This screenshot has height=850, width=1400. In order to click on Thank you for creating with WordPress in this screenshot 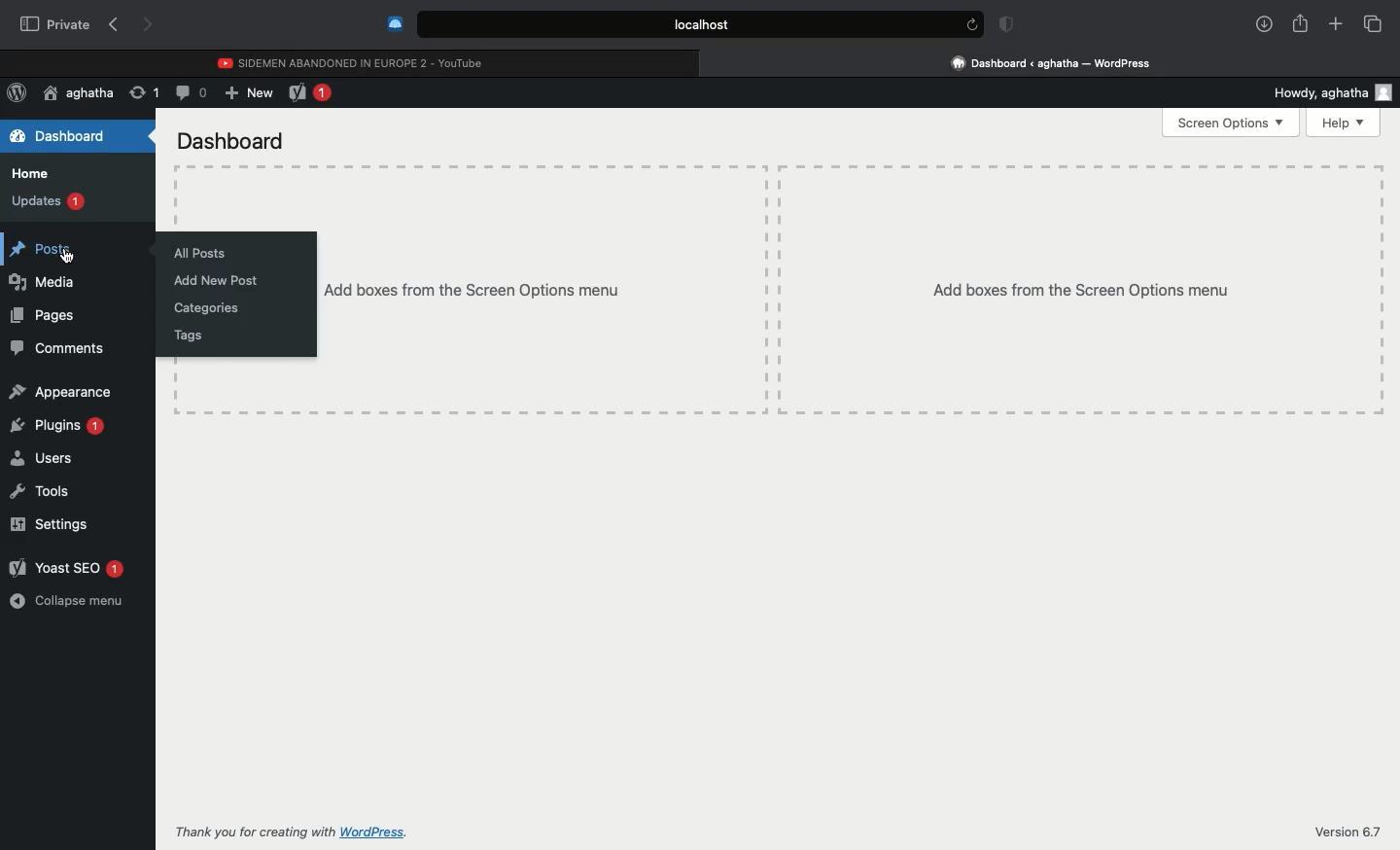, I will do `click(291, 832)`.